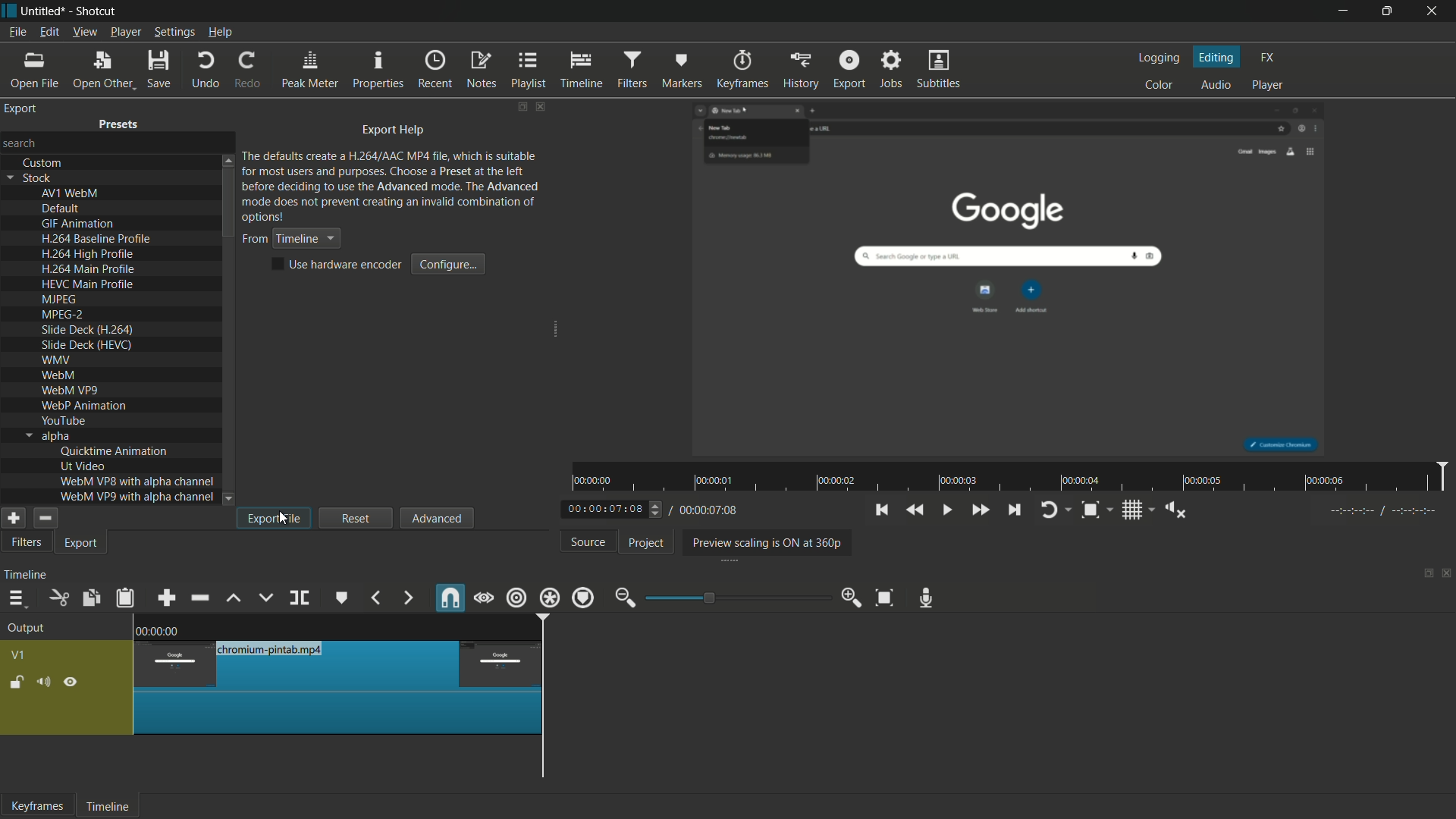 The width and height of the screenshot is (1456, 819). What do you see at coordinates (284, 518) in the screenshot?
I see `cursor` at bounding box center [284, 518].